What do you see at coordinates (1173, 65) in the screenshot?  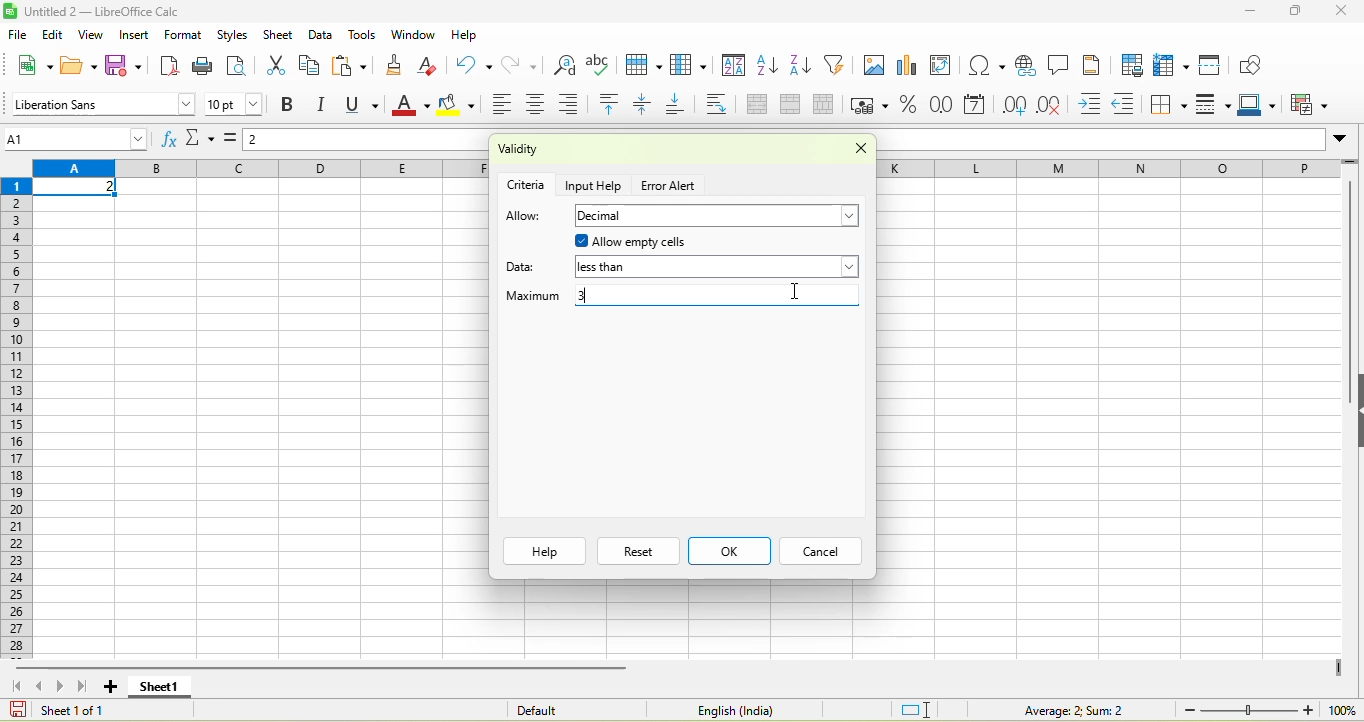 I see `rows and column` at bounding box center [1173, 65].